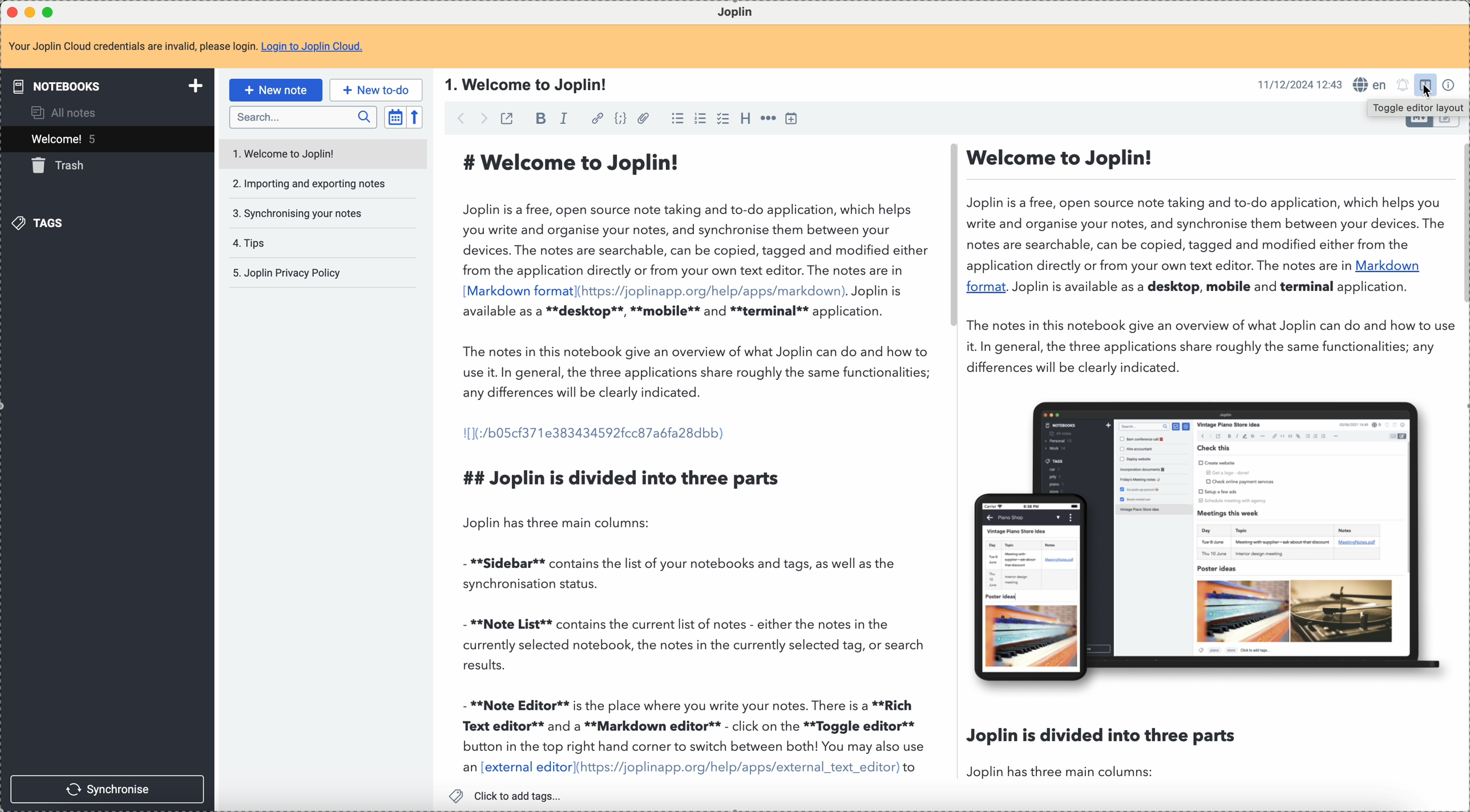 The width and height of the screenshot is (1470, 812). I want to click on note properties, so click(1449, 85).